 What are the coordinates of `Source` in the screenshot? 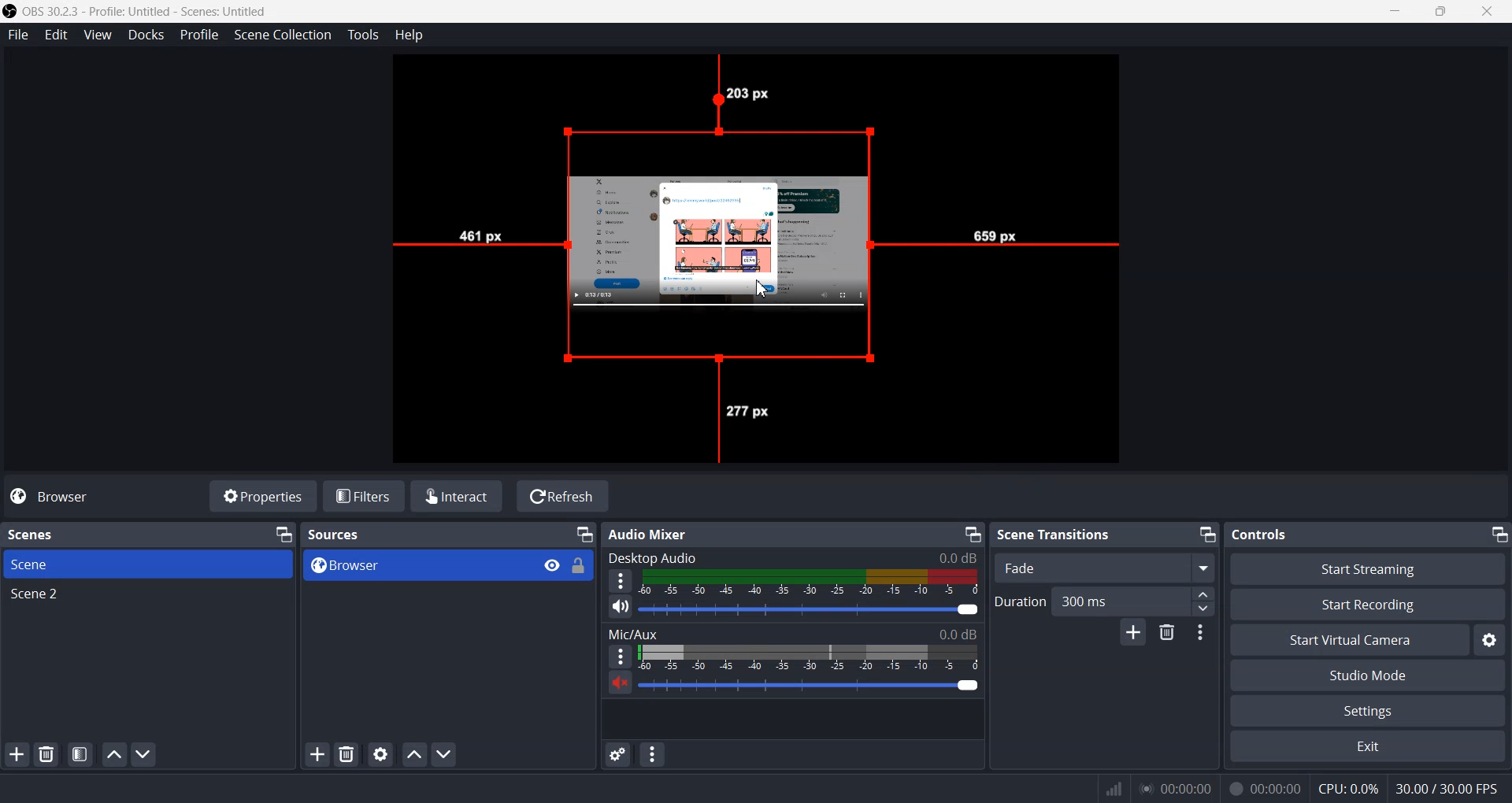 It's located at (727, 220).